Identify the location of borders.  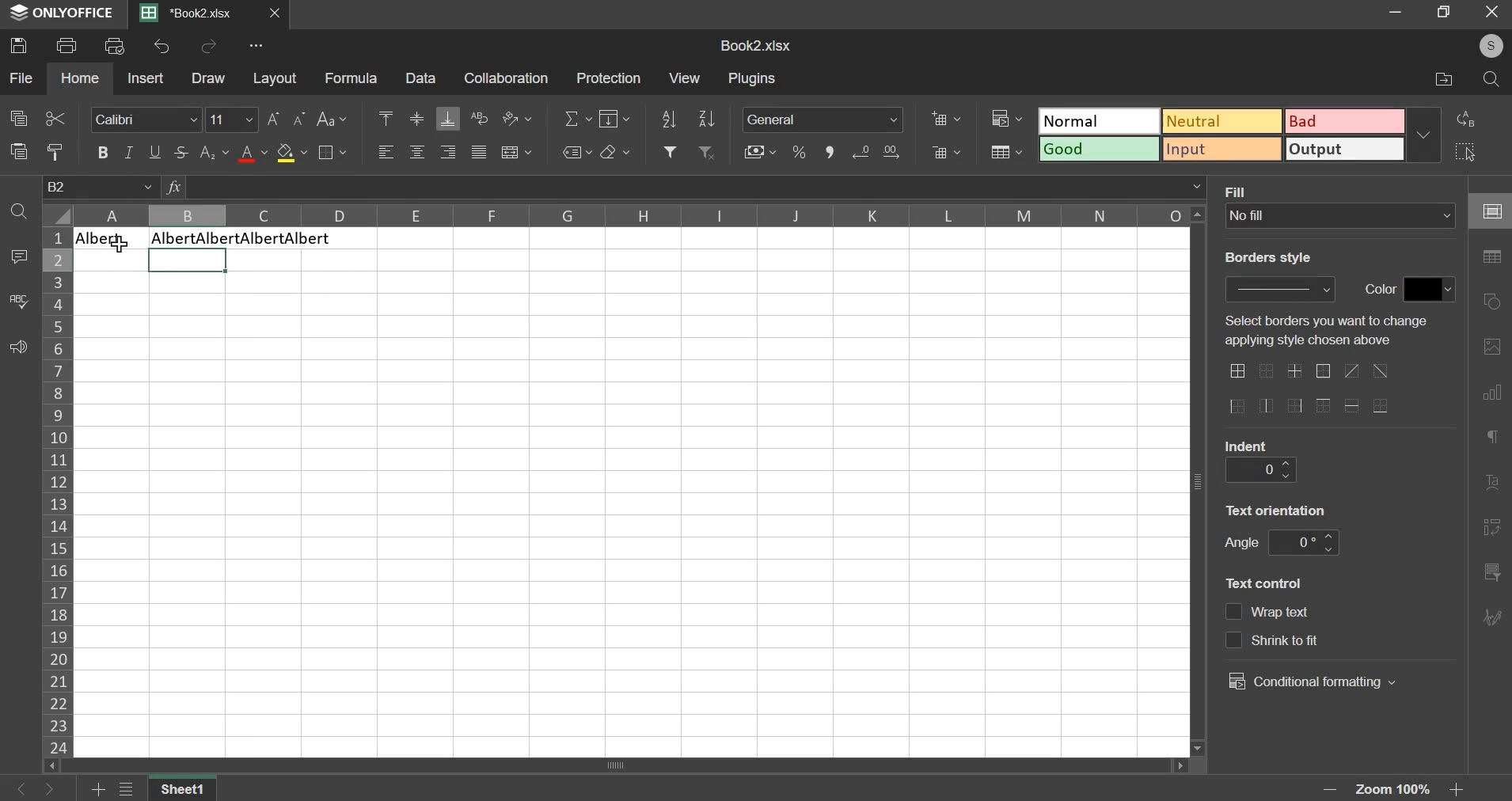
(330, 152).